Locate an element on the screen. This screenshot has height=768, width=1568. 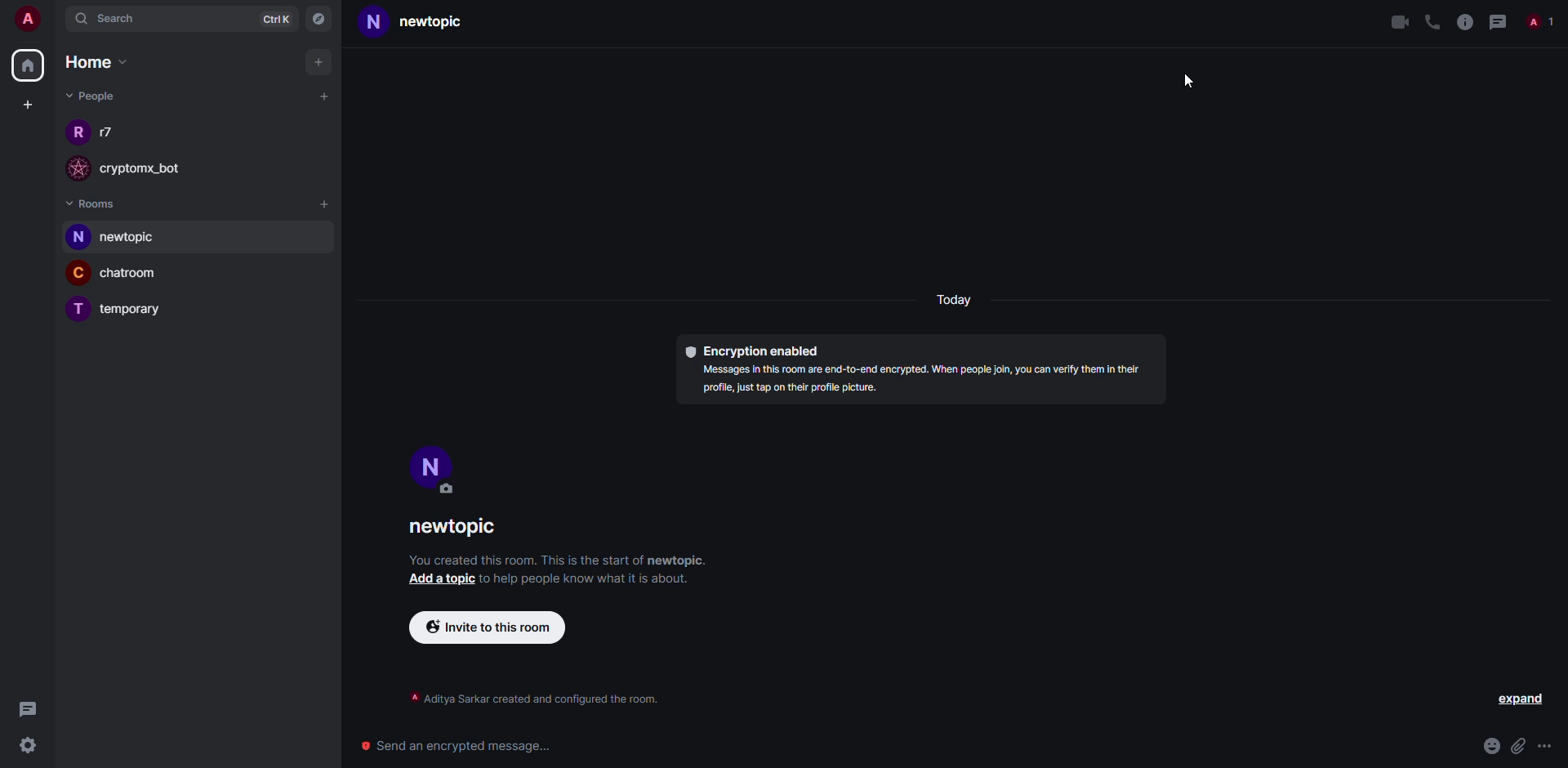
rooms is located at coordinates (93, 203).